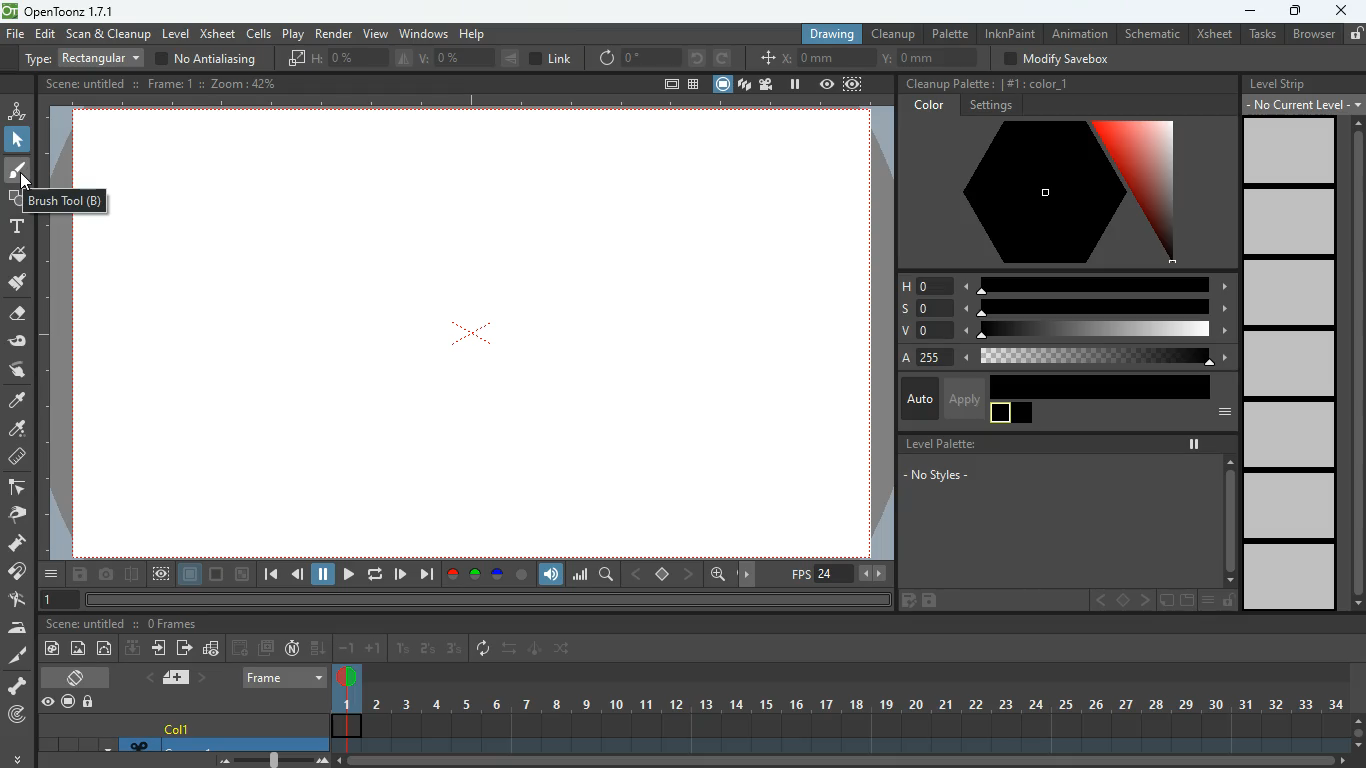  Describe the element at coordinates (1248, 12) in the screenshot. I see `minimize` at that location.